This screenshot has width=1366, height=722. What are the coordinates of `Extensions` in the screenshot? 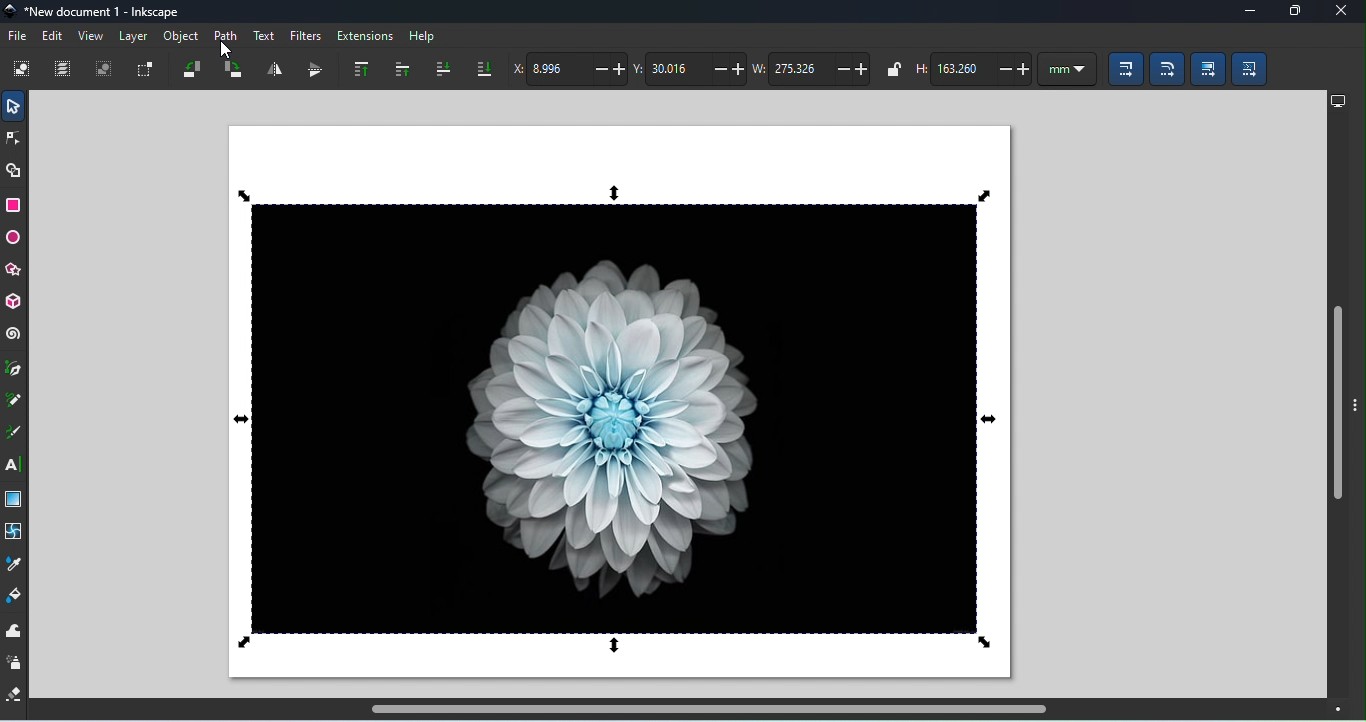 It's located at (366, 34).